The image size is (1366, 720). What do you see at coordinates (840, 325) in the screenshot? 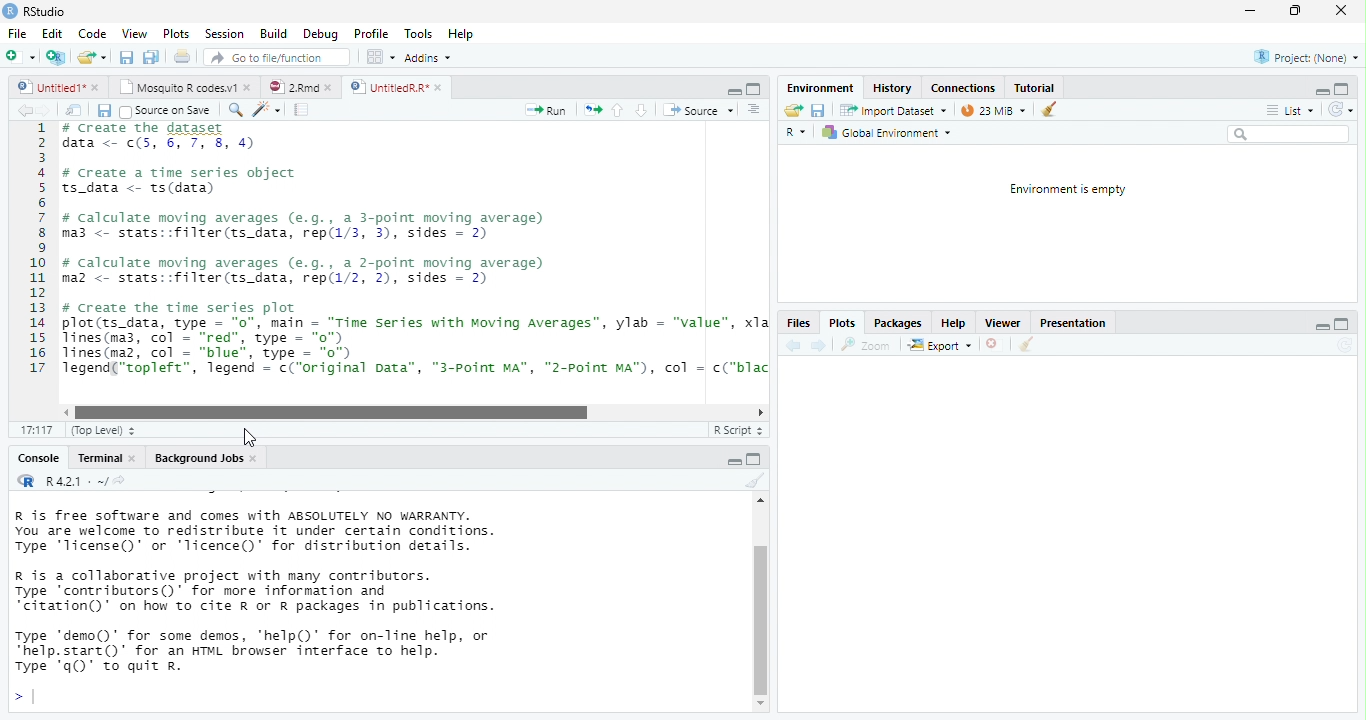
I see `Plots` at bounding box center [840, 325].